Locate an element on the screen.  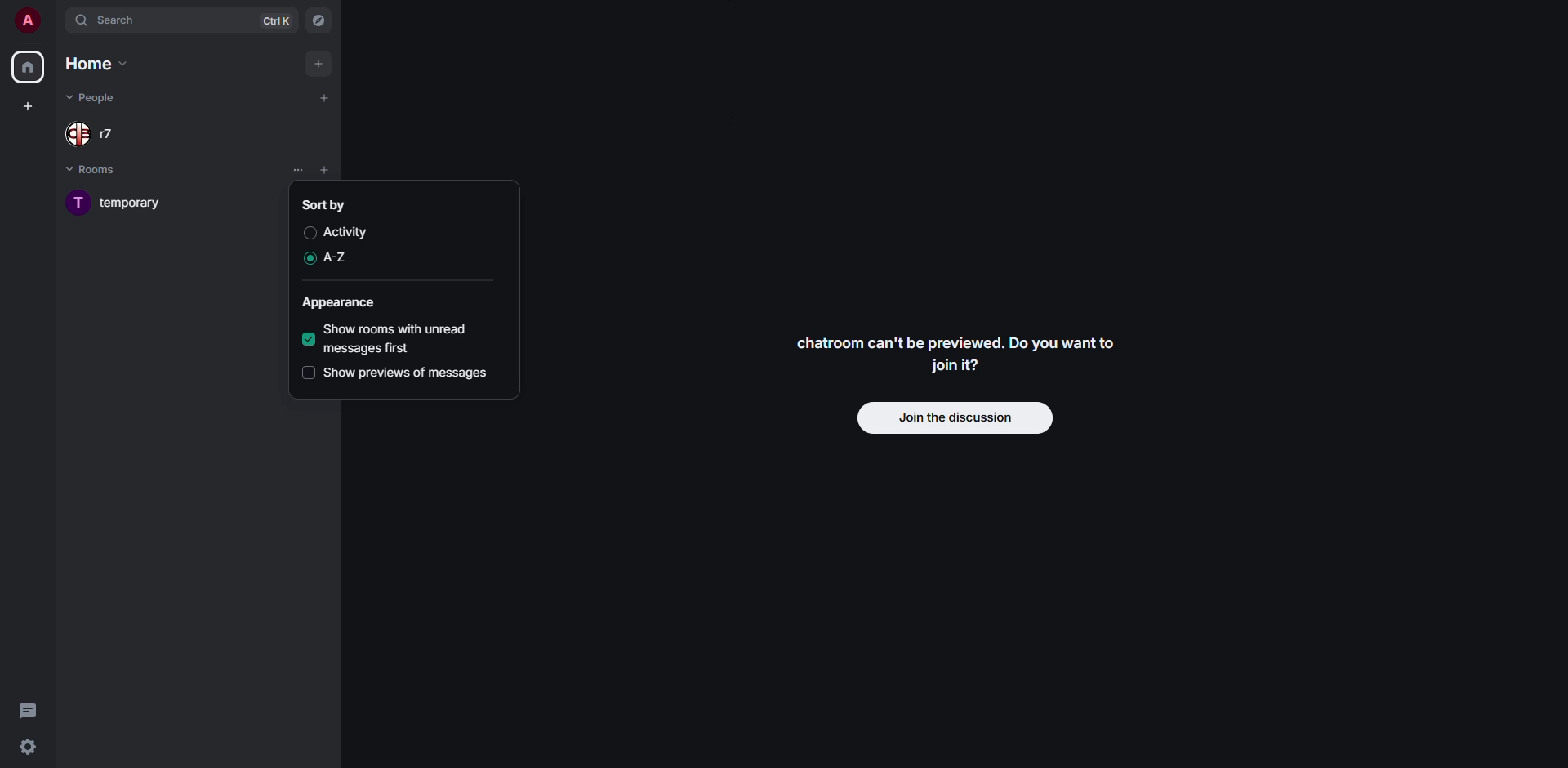
show previews of messages is located at coordinates (409, 373).